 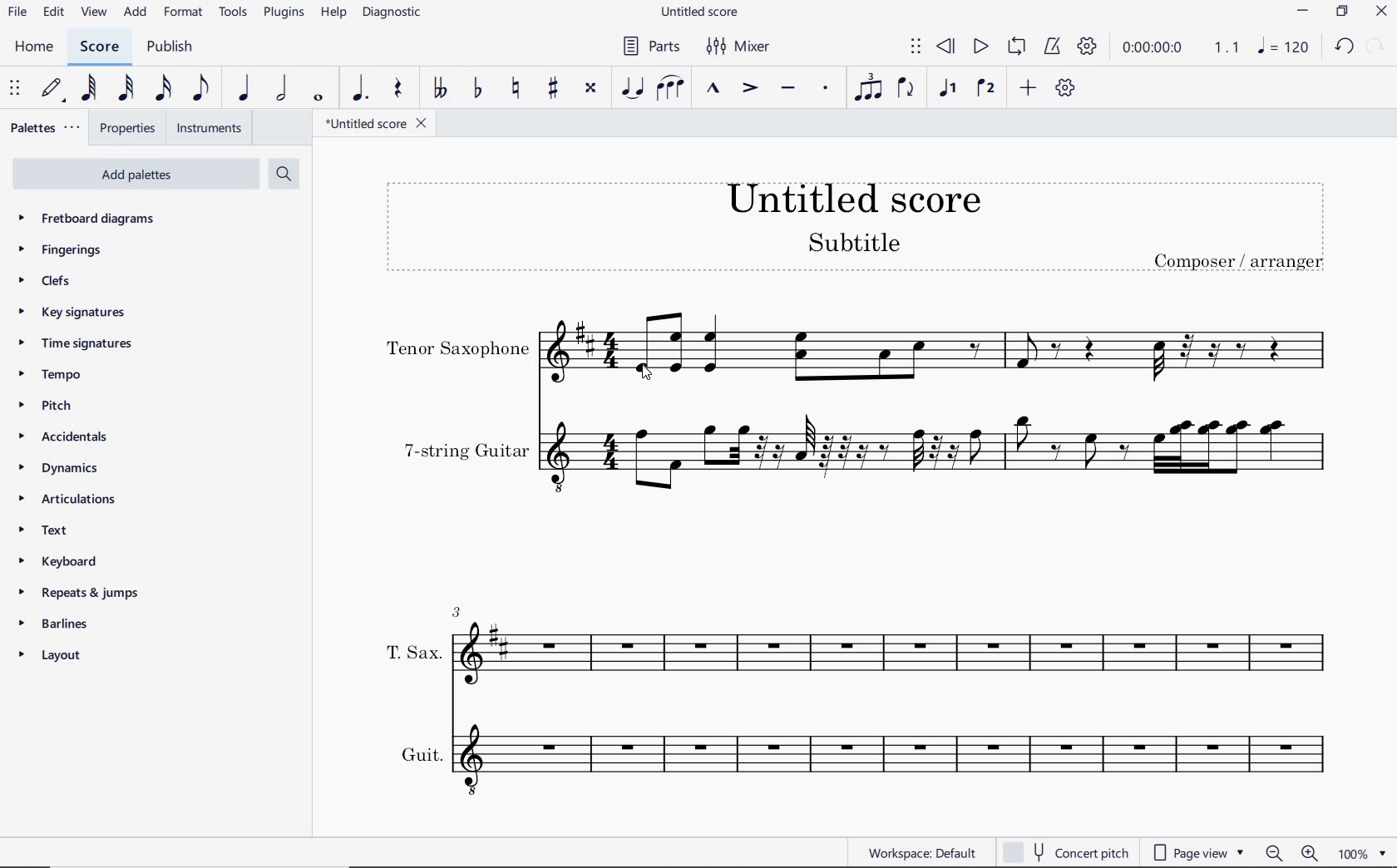 What do you see at coordinates (861, 451) in the screenshot?
I see `INSTRUMENT: 7-STRING GUITAR` at bounding box center [861, 451].